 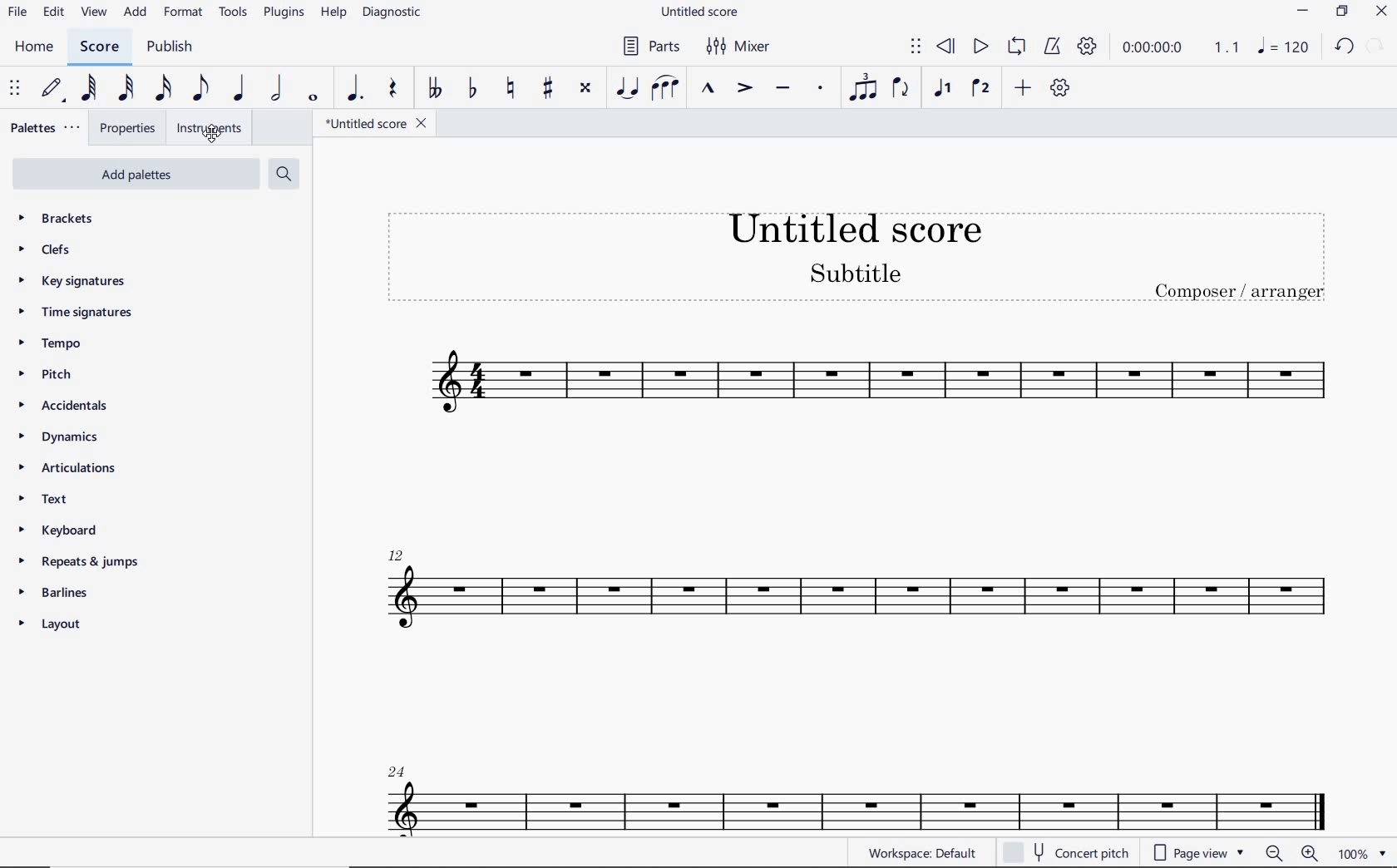 I want to click on PLAY TIME, so click(x=1178, y=47).